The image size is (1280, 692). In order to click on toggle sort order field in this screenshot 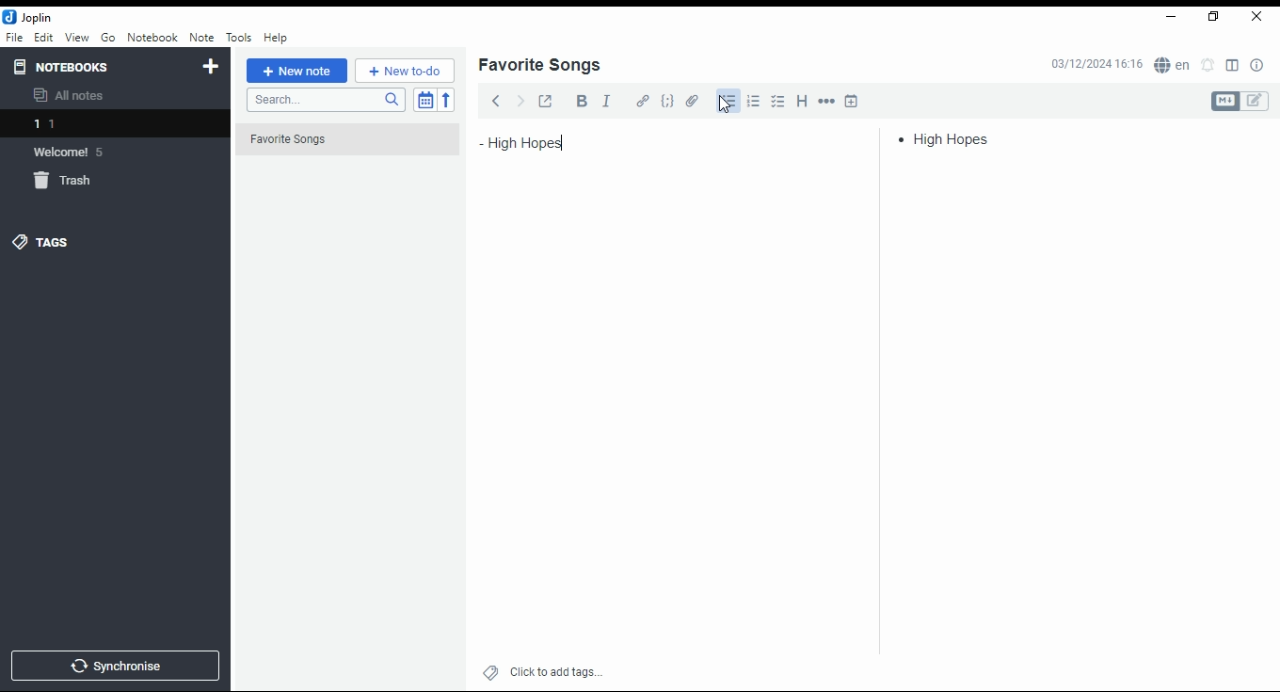, I will do `click(425, 100)`.